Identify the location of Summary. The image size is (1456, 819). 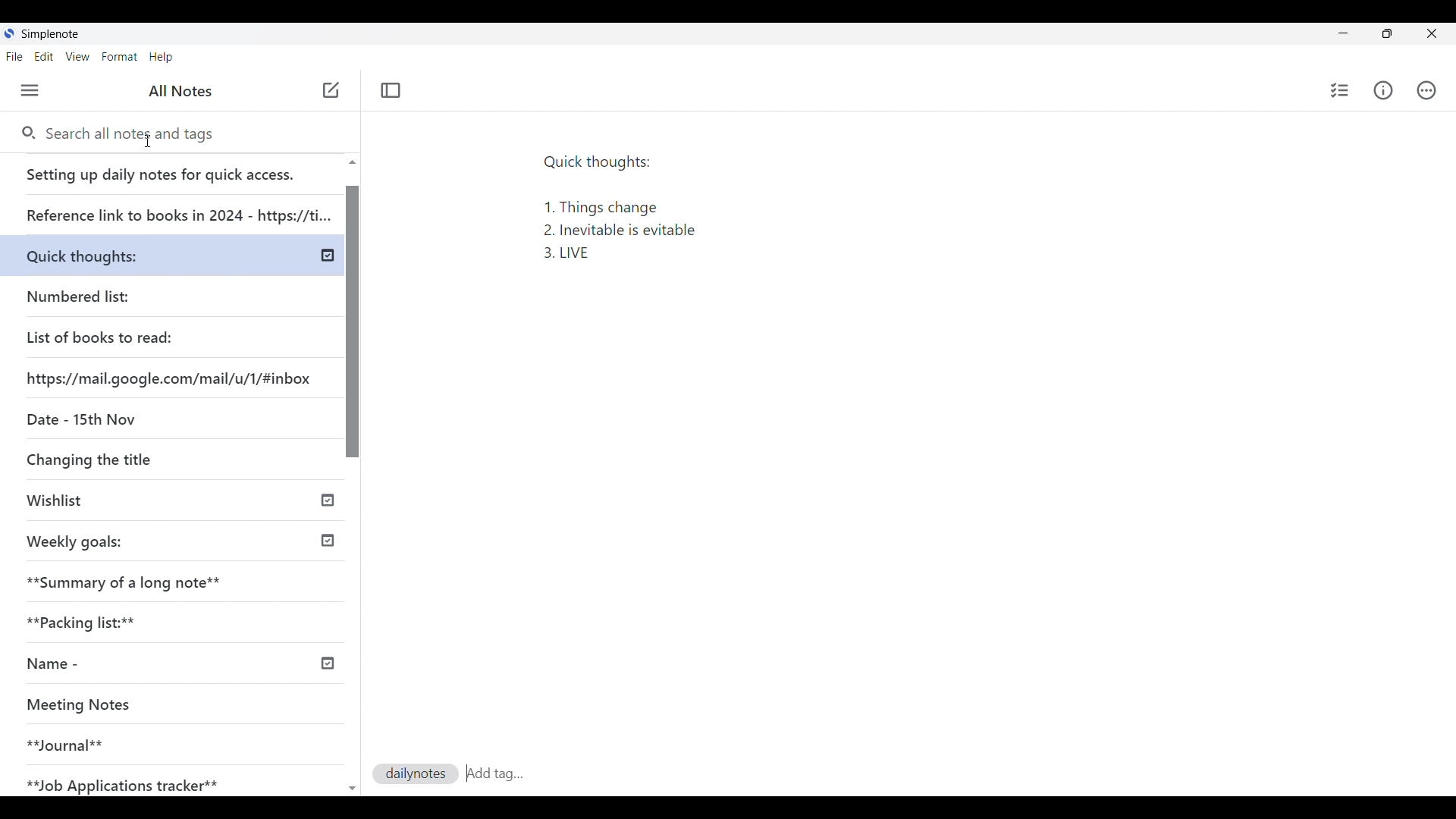
(181, 578).